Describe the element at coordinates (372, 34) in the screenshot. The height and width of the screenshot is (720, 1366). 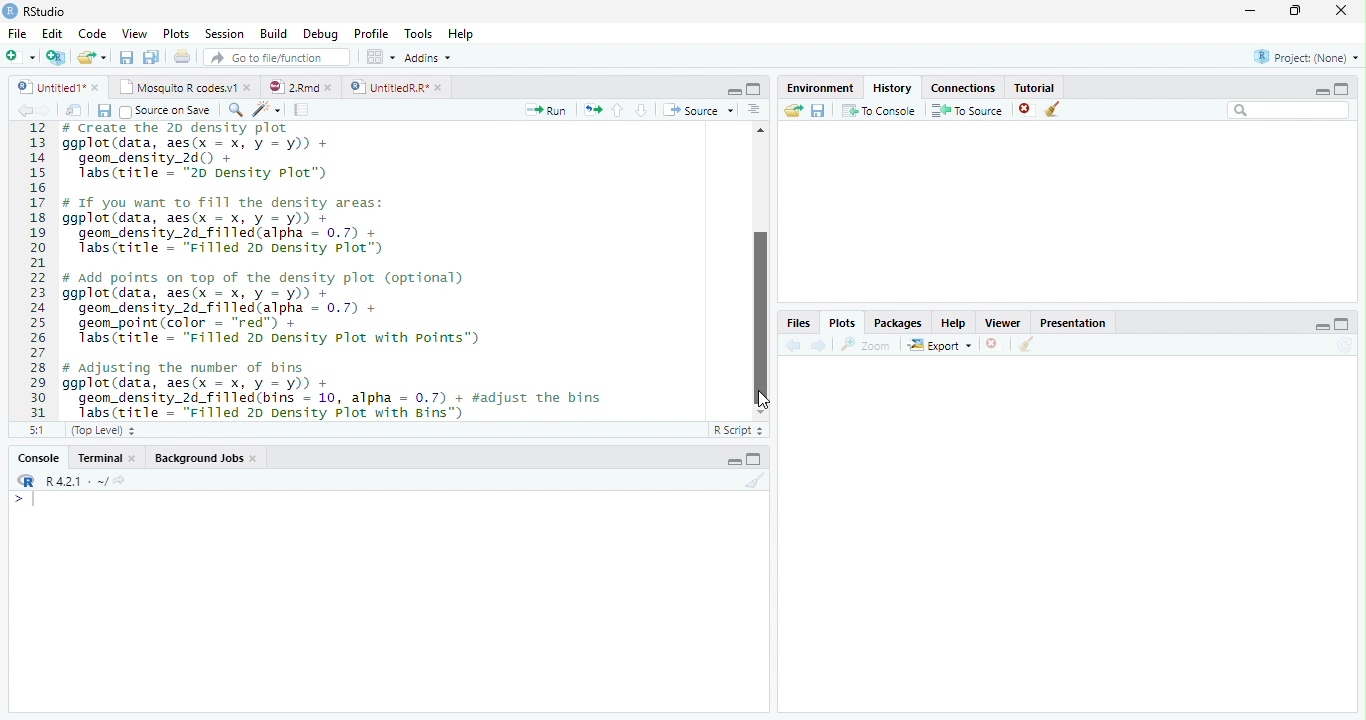
I see `Profile` at that location.